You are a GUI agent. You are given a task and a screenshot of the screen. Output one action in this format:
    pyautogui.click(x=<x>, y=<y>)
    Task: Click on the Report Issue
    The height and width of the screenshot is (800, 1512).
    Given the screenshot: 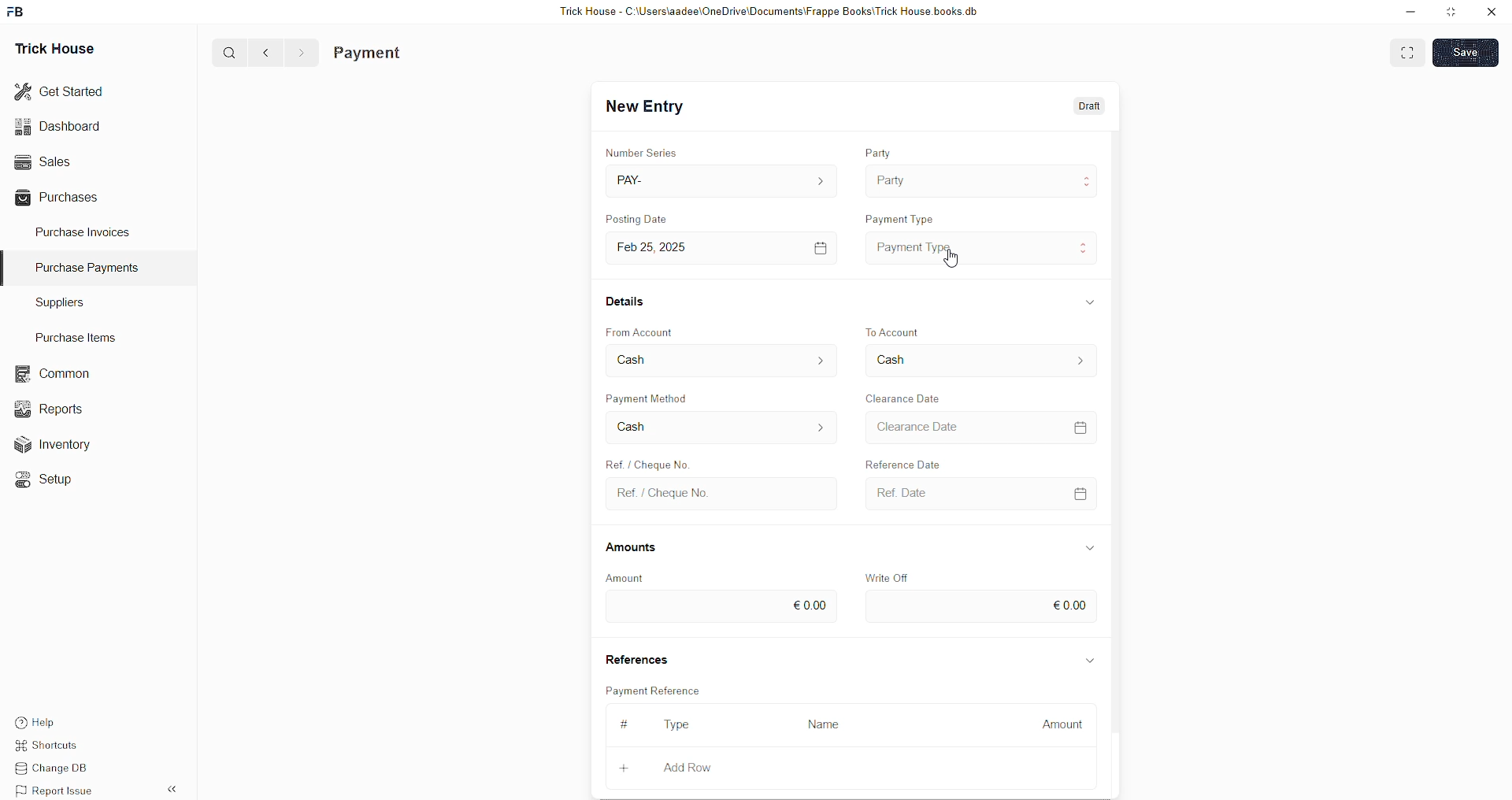 What is the action you would take?
    pyautogui.click(x=59, y=791)
    